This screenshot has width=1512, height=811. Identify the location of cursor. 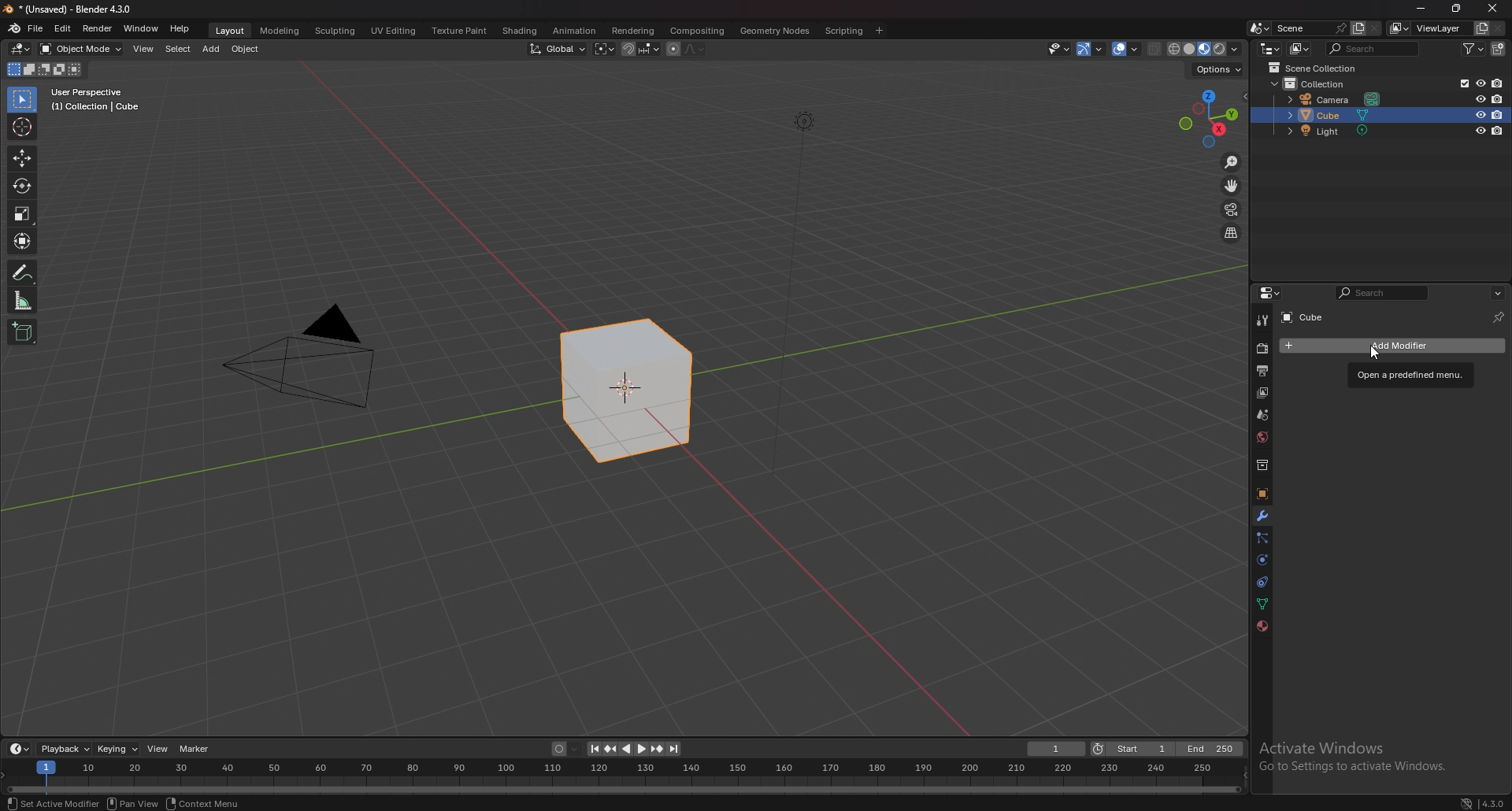
(22, 126).